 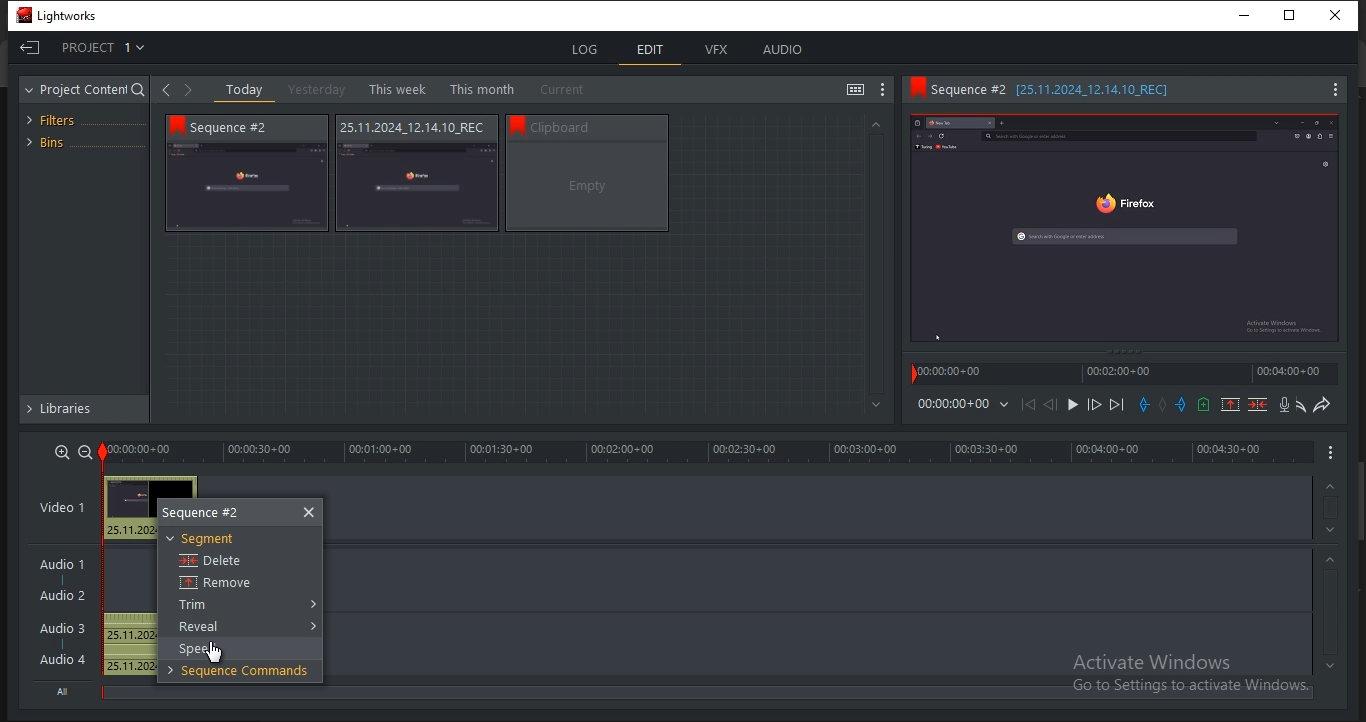 I want to click on timeline, so click(x=708, y=453).